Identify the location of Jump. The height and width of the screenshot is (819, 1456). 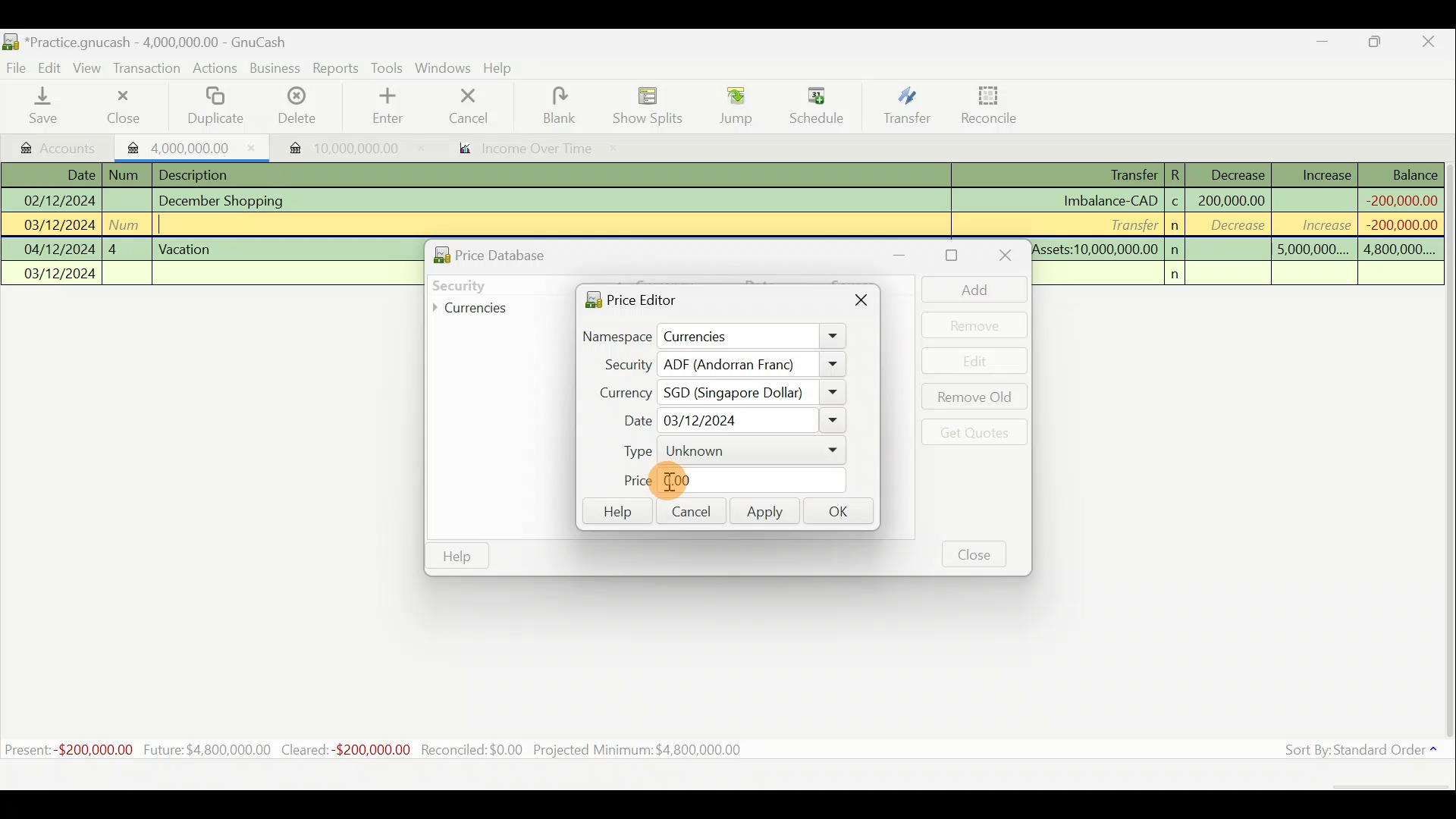
(730, 106).